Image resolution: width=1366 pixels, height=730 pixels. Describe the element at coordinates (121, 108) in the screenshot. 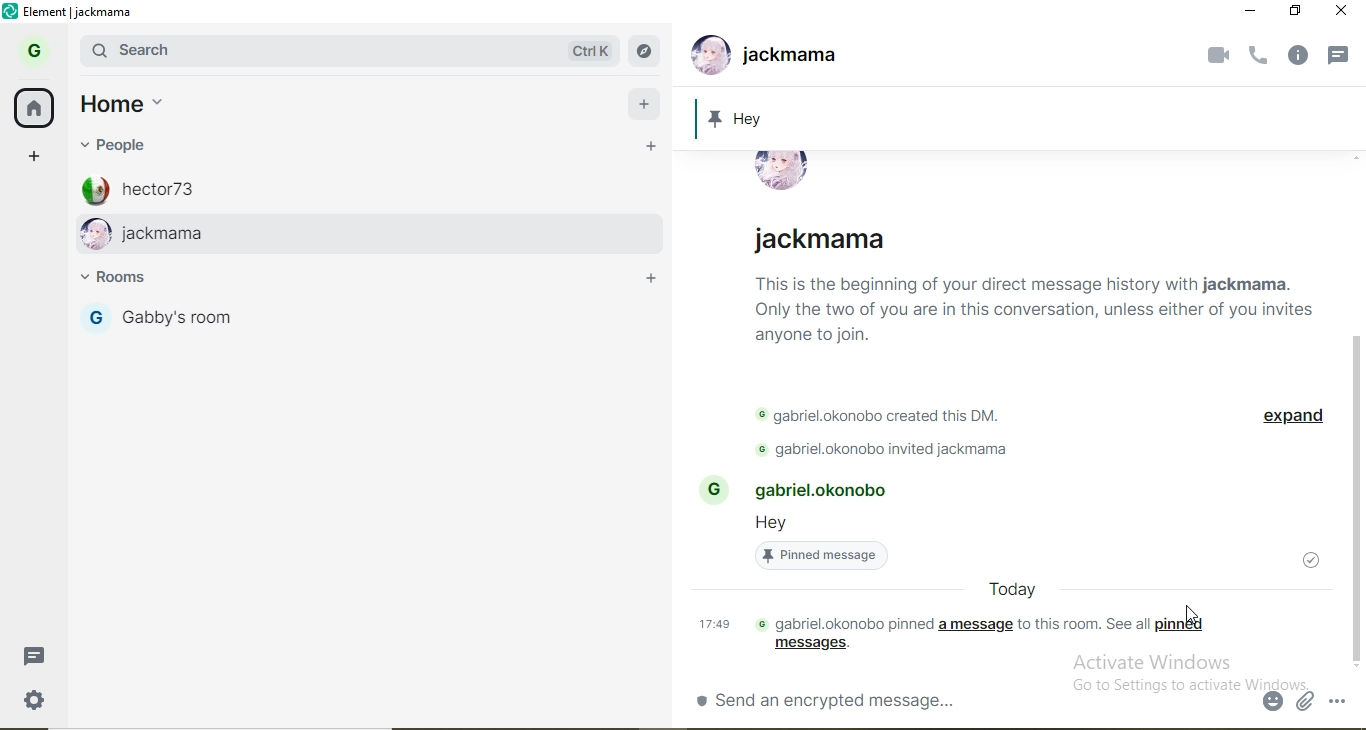

I see `home` at that location.